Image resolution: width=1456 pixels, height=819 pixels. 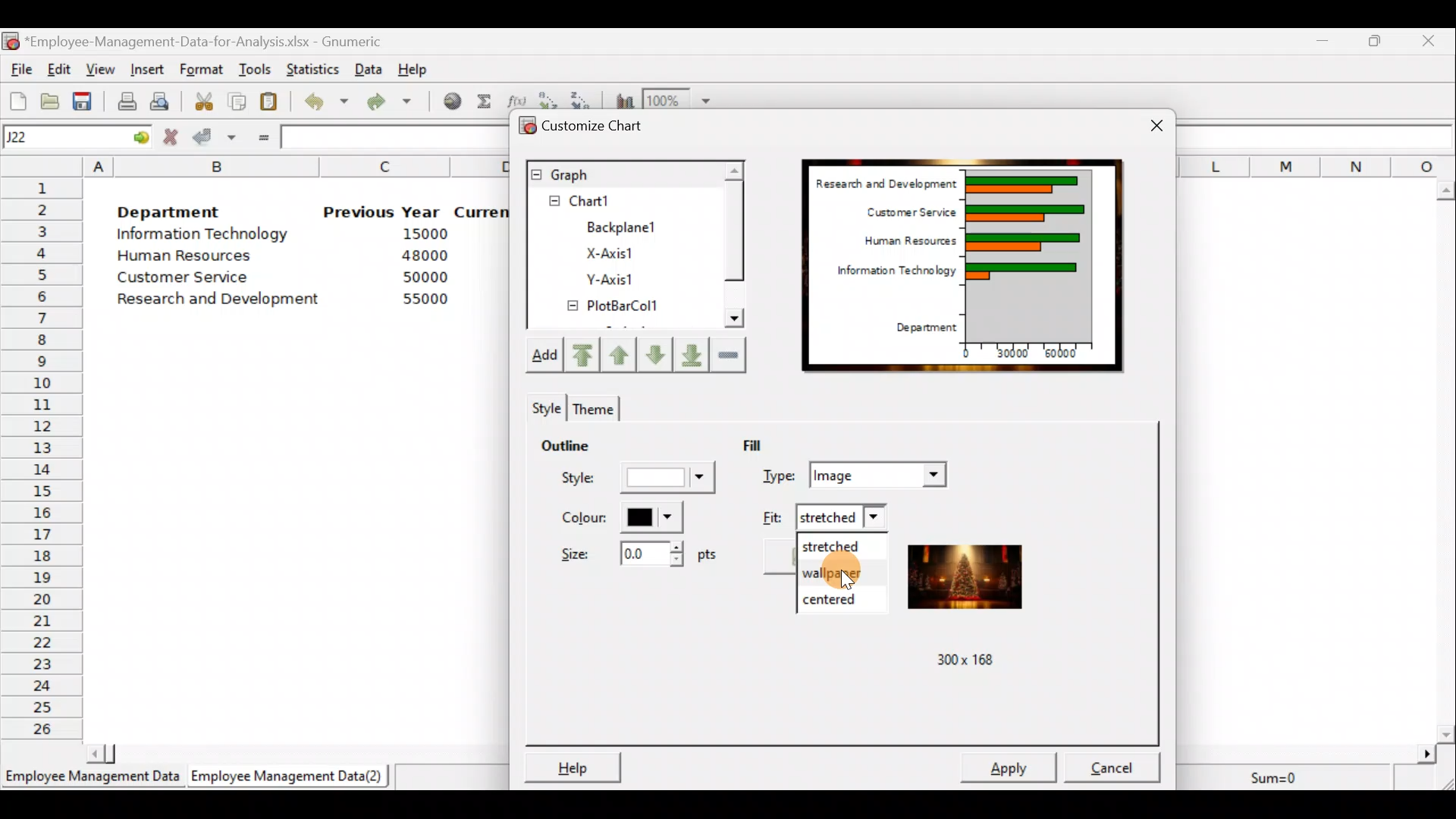 What do you see at coordinates (623, 518) in the screenshot?
I see `Color` at bounding box center [623, 518].